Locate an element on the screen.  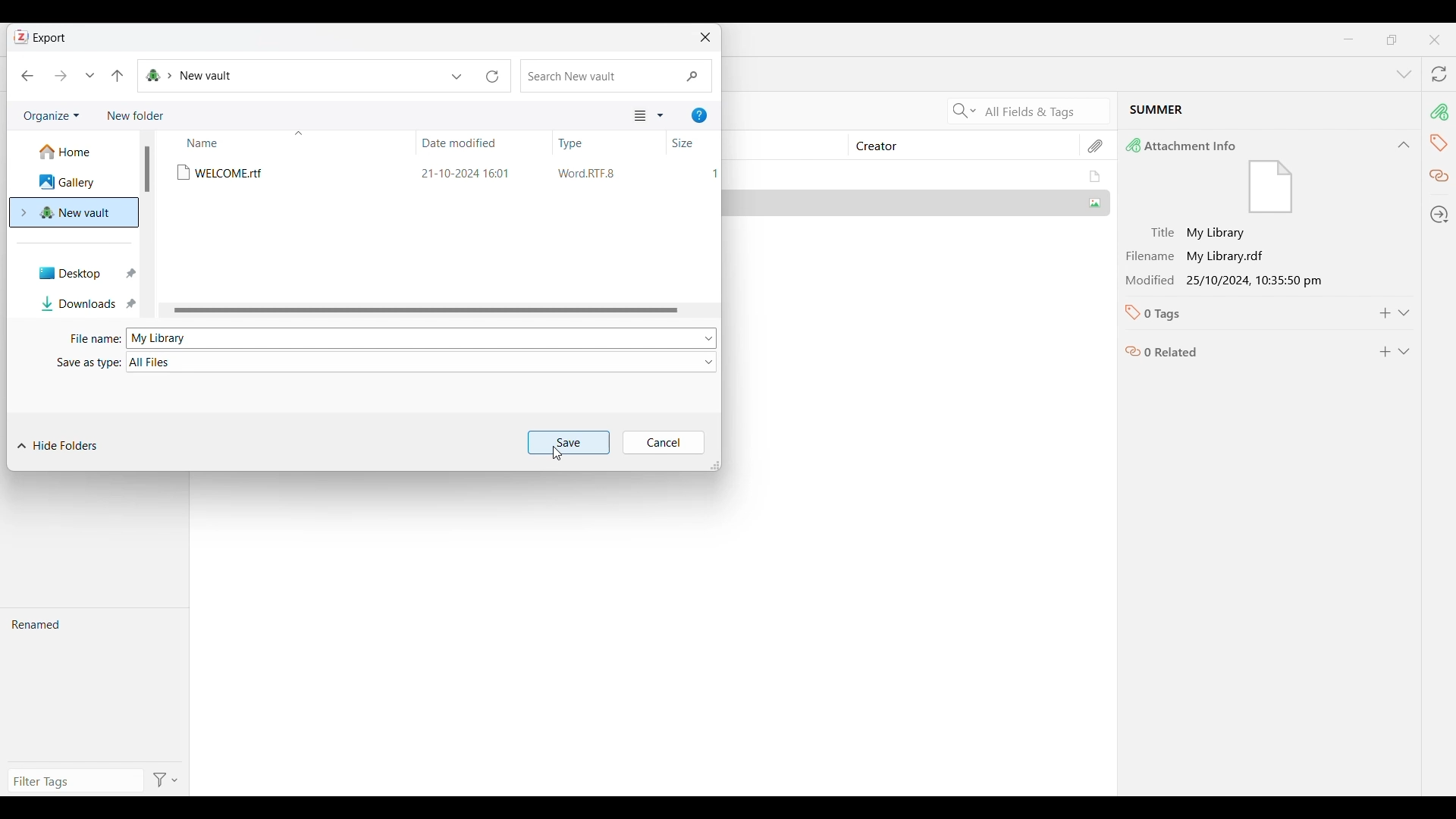
New Vault is located at coordinates (217, 75).